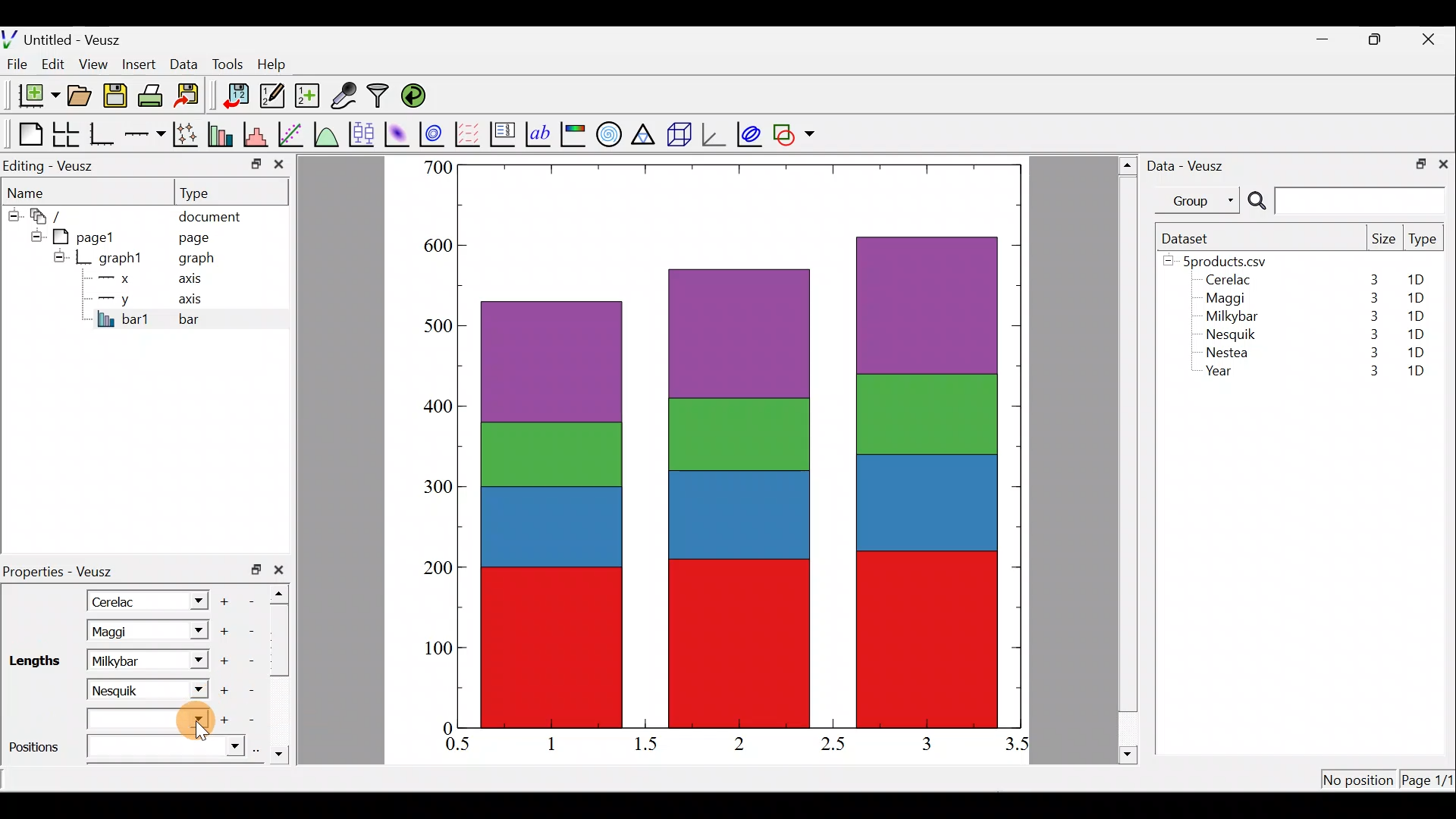  I want to click on Help, so click(281, 64).